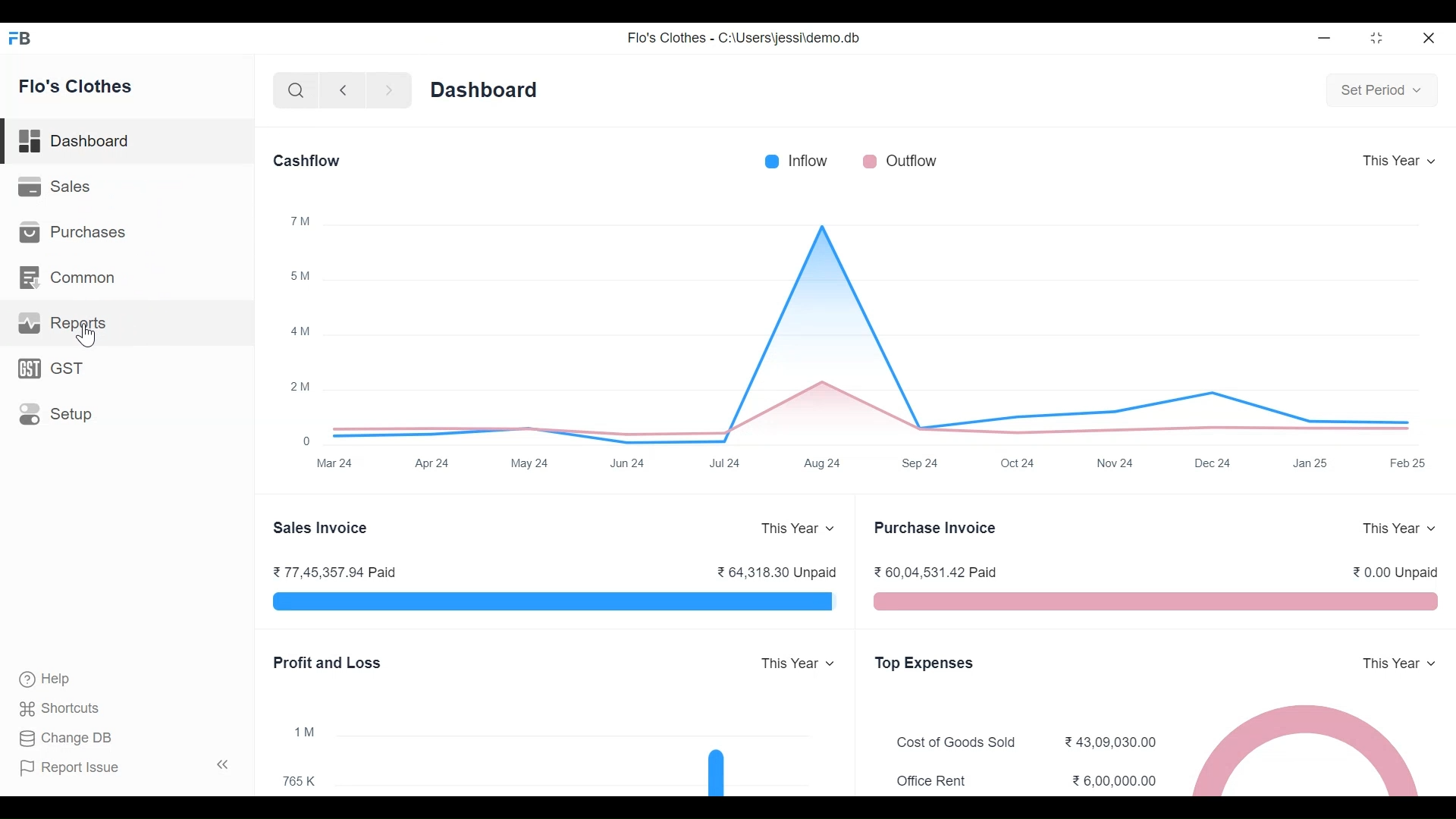  I want to click on Purchase Invoice, so click(938, 529).